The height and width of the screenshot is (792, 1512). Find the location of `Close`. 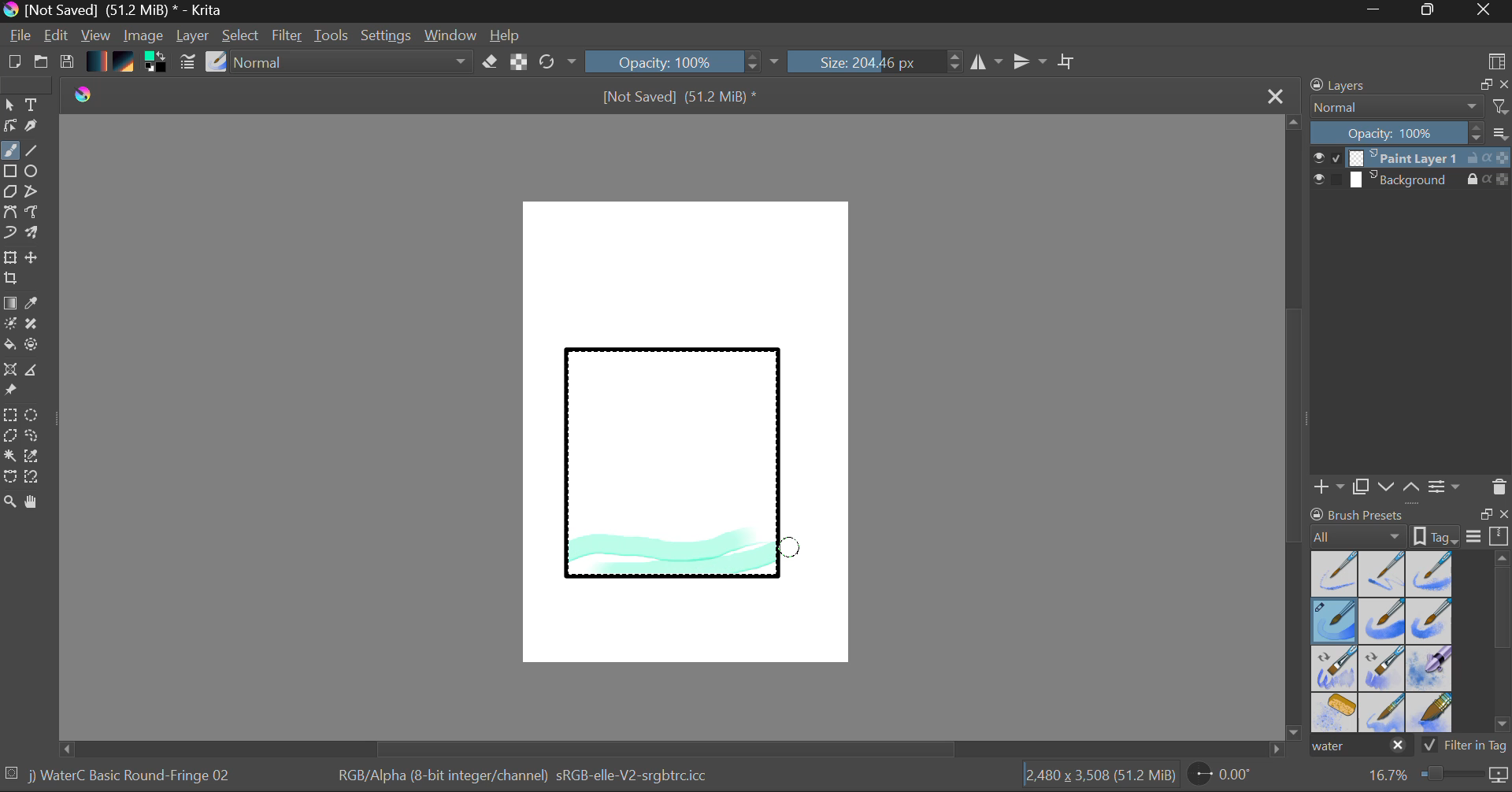

Close is located at coordinates (1277, 95).